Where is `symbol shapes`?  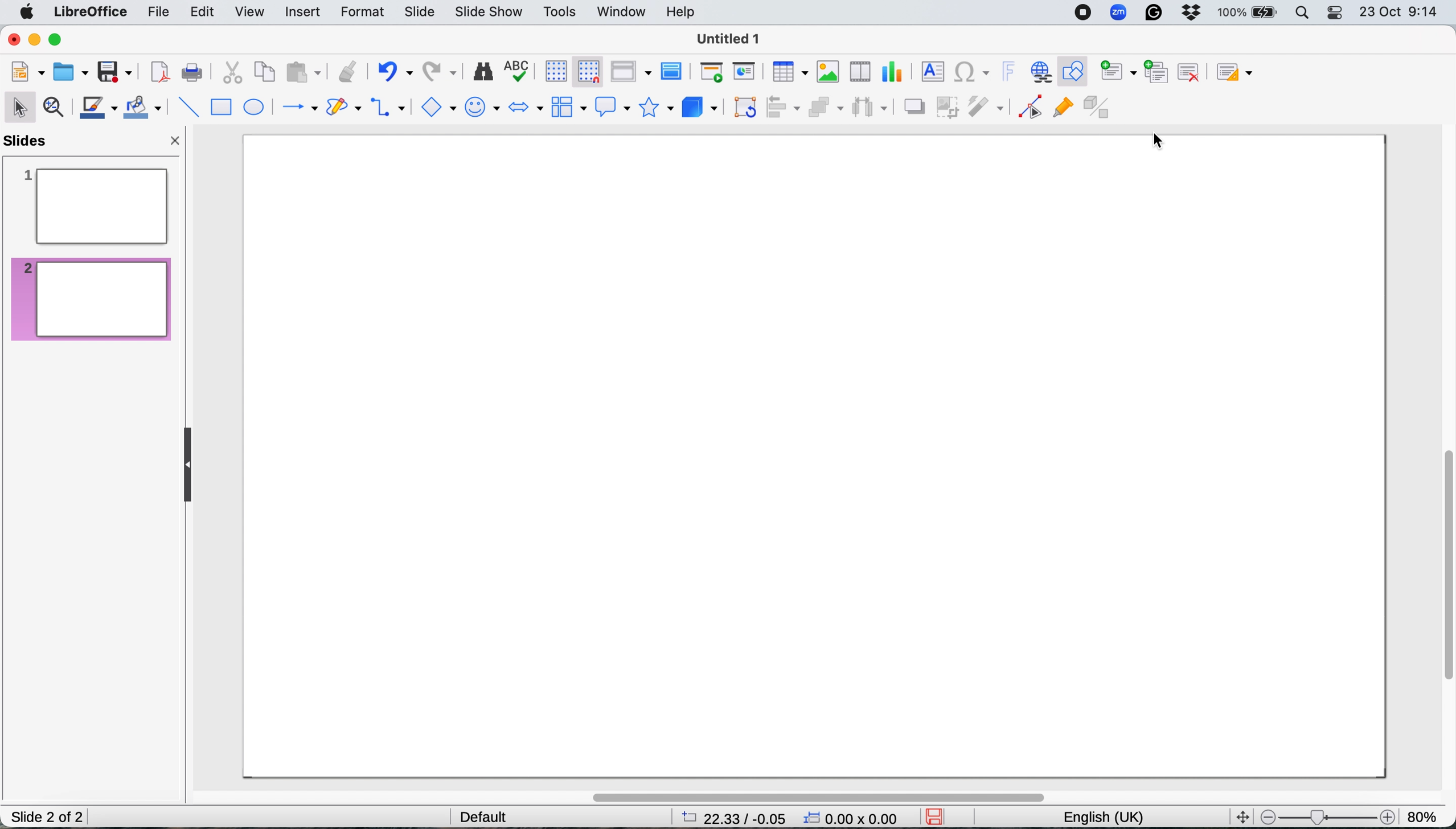 symbol shapes is located at coordinates (485, 108).